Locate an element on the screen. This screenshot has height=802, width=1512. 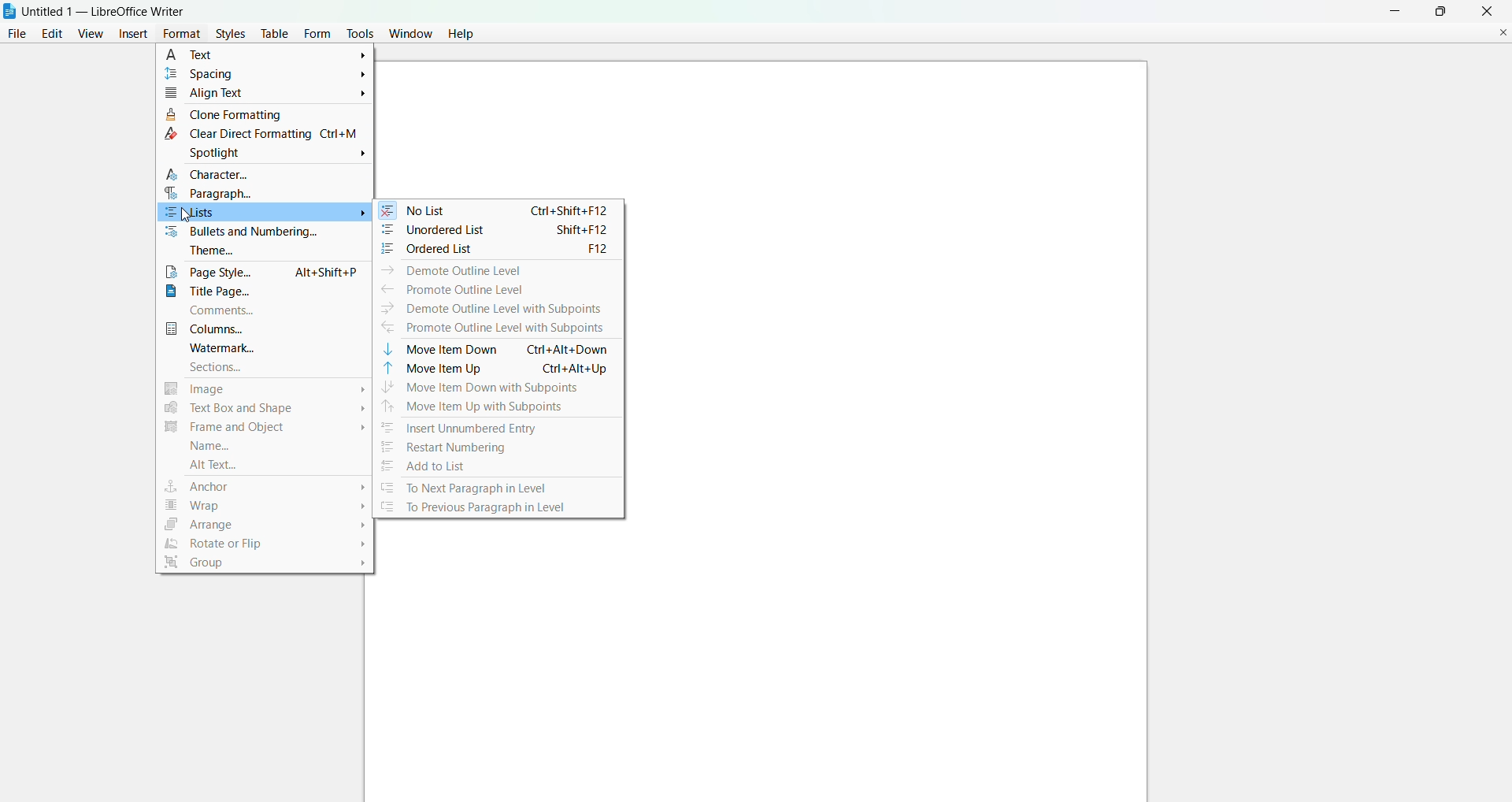
file is located at coordinates (17, 35).